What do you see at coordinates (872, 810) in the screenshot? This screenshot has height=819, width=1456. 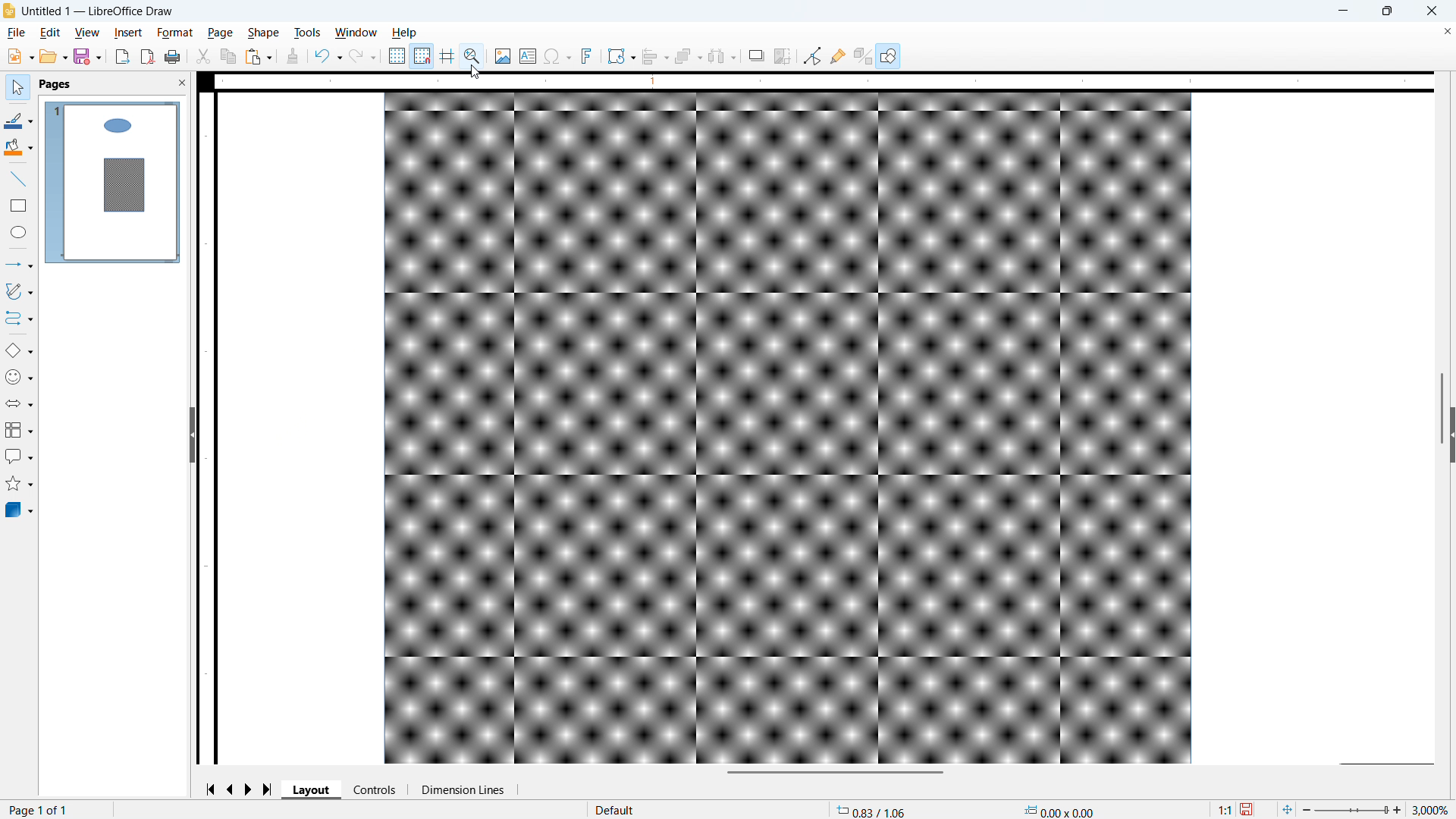 I see `Cursor coordinates ` at bounding box center [872, 810].